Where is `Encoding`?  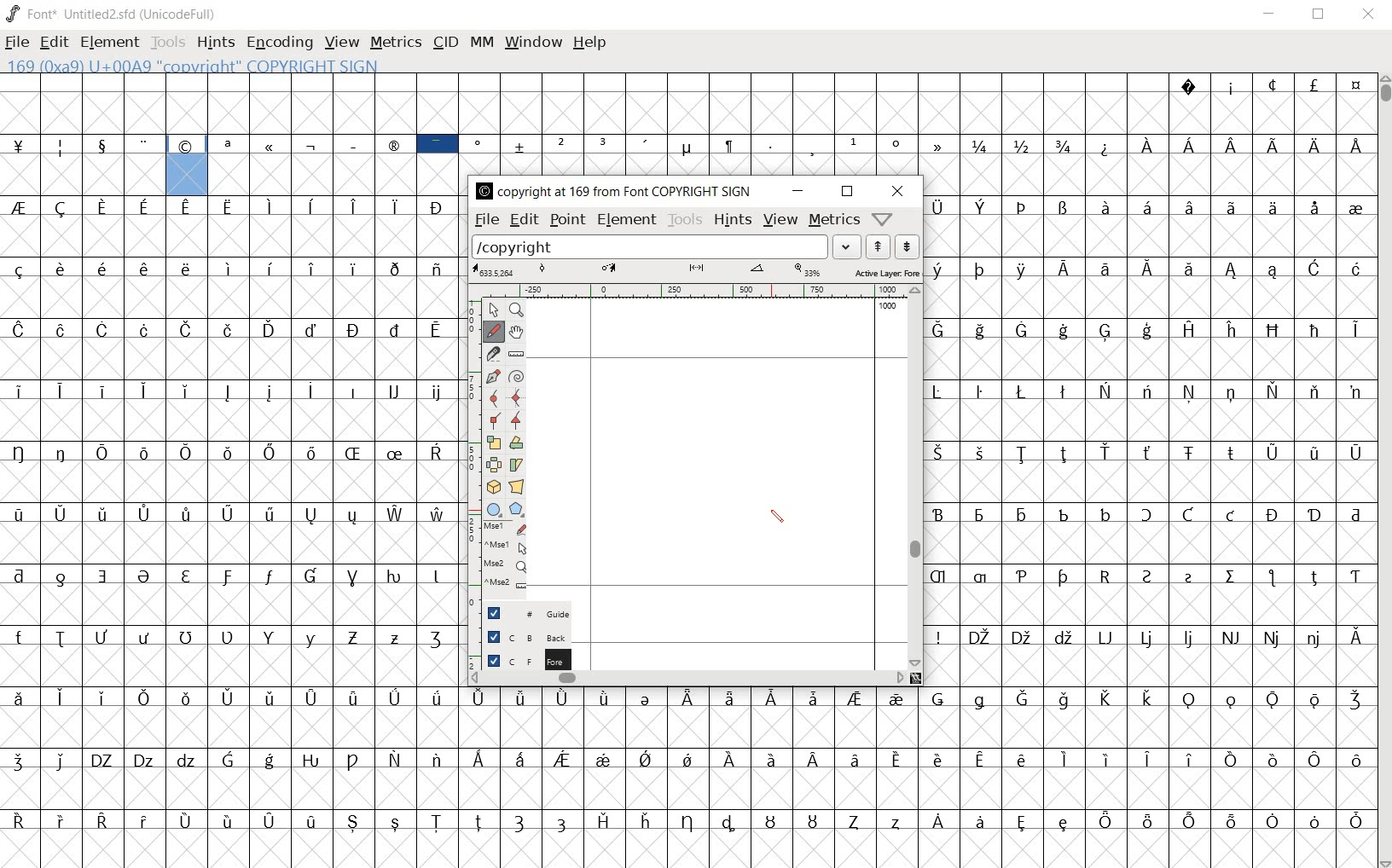
Encoding is located at coordinates (279, 43).